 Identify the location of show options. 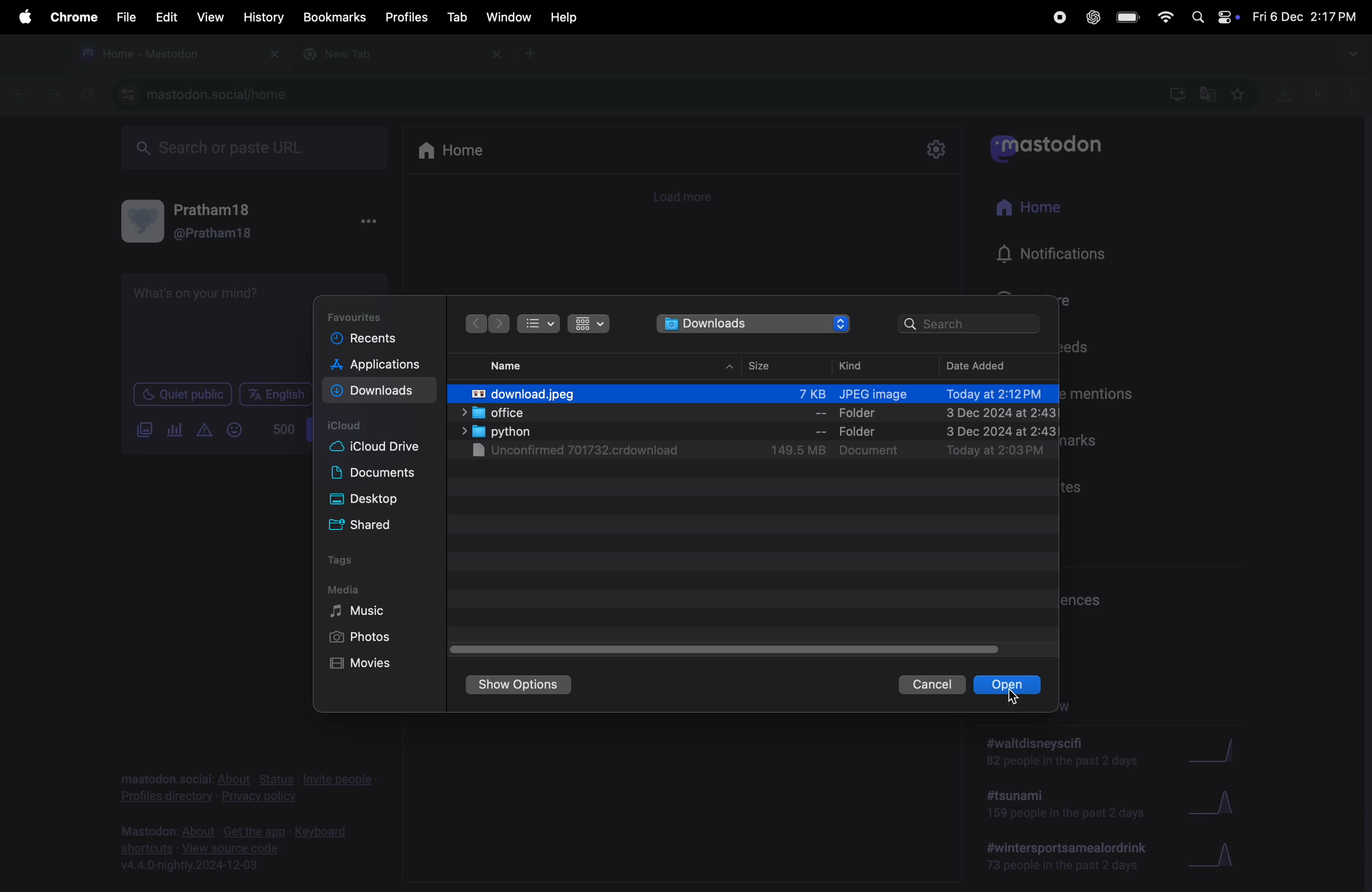
(522, 686).